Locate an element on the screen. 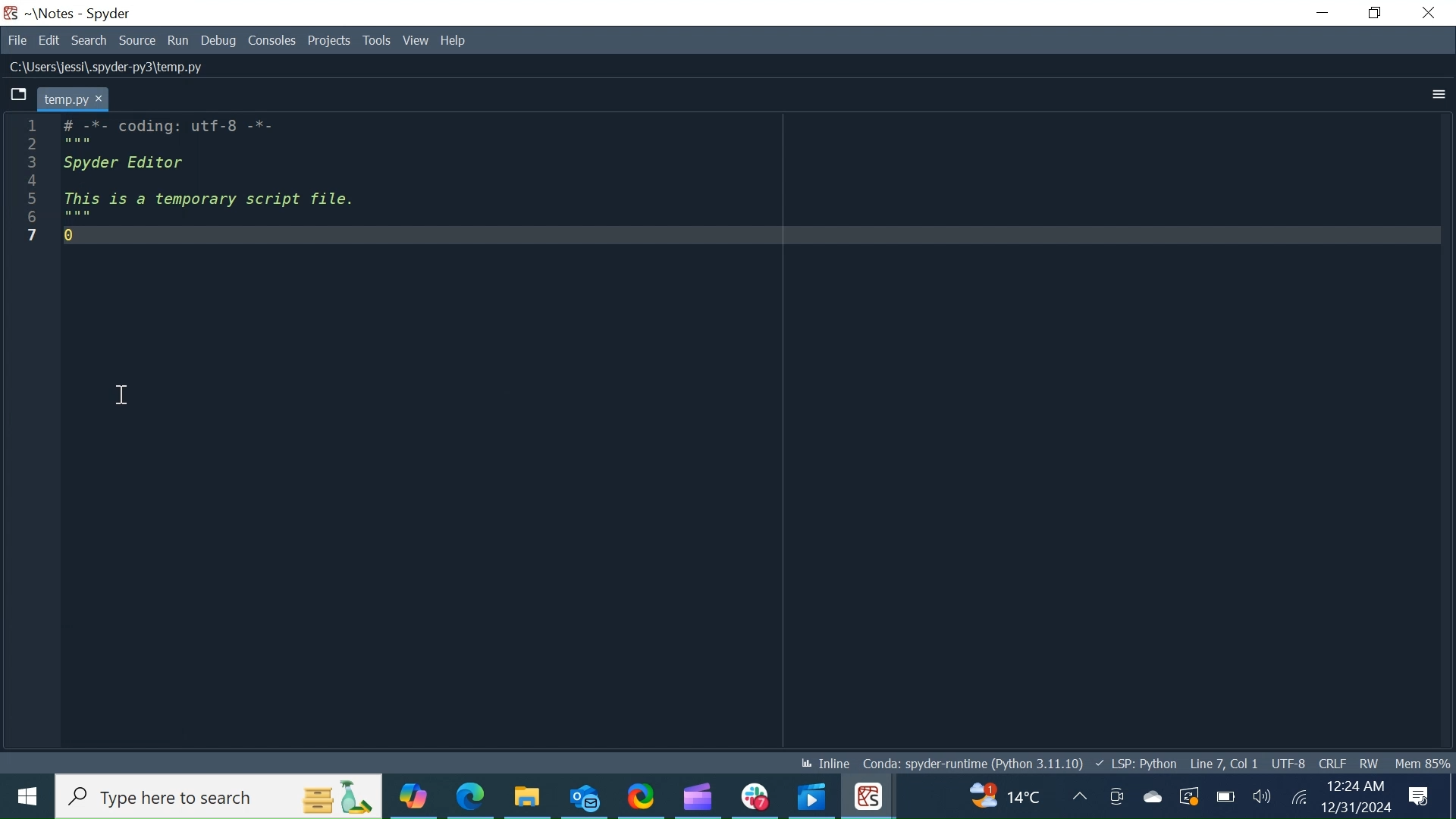 The image size is (1456, 819). File is located at coordinates (20, 39).